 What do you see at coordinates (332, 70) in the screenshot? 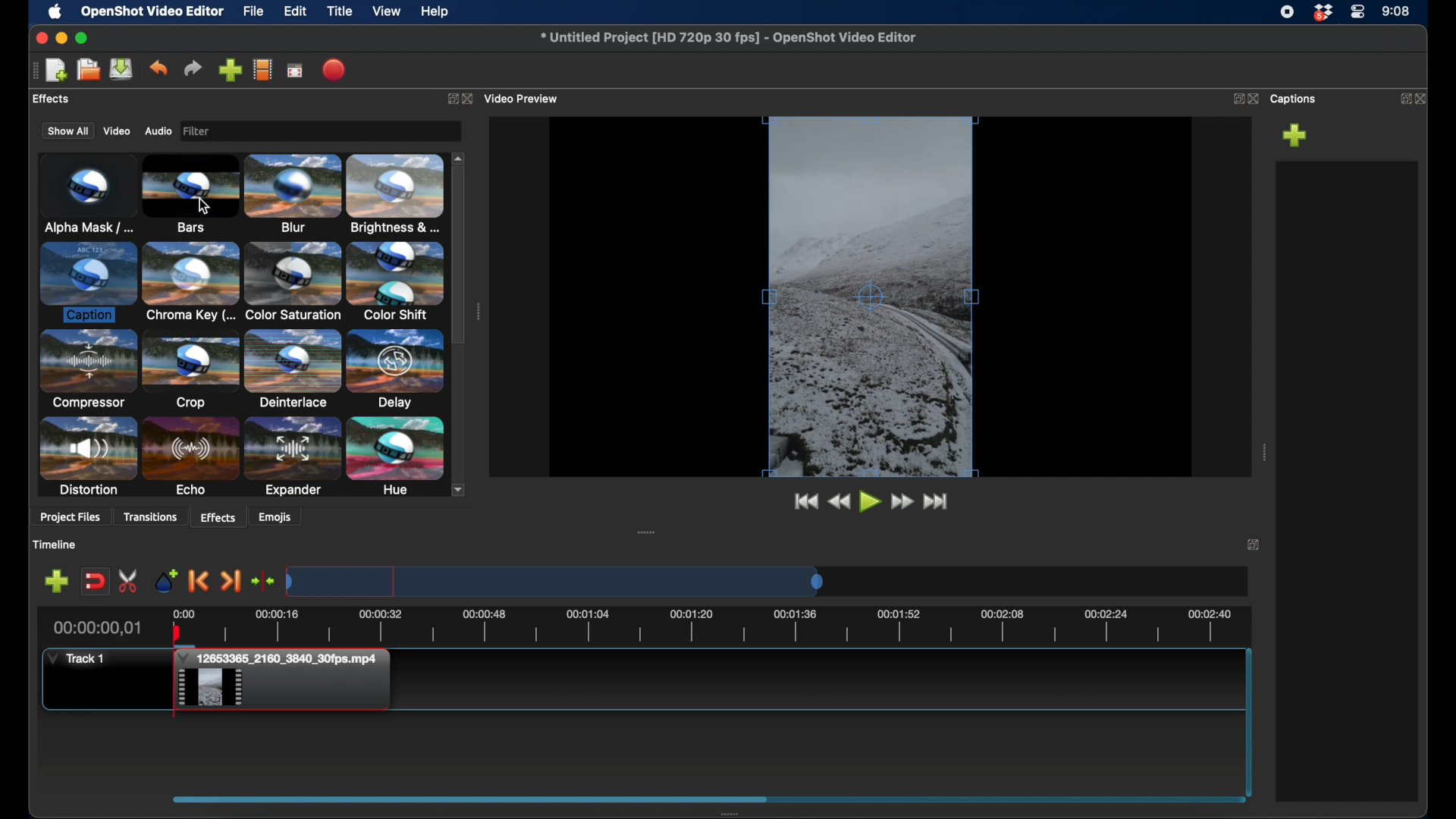
I see `export video` at bounding box center [332, 70].